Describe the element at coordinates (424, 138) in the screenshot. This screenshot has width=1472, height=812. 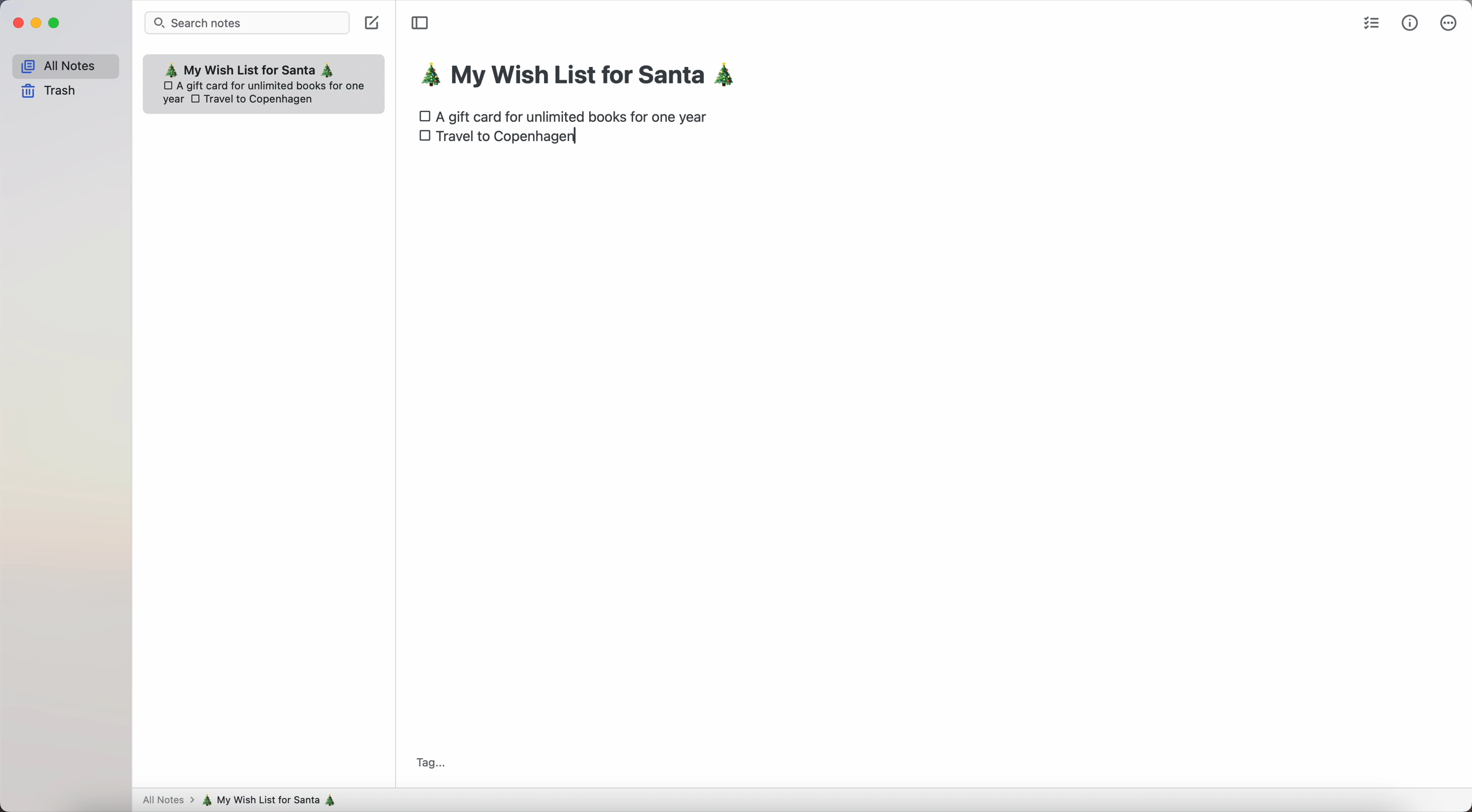
I see `checkbox` at that location.